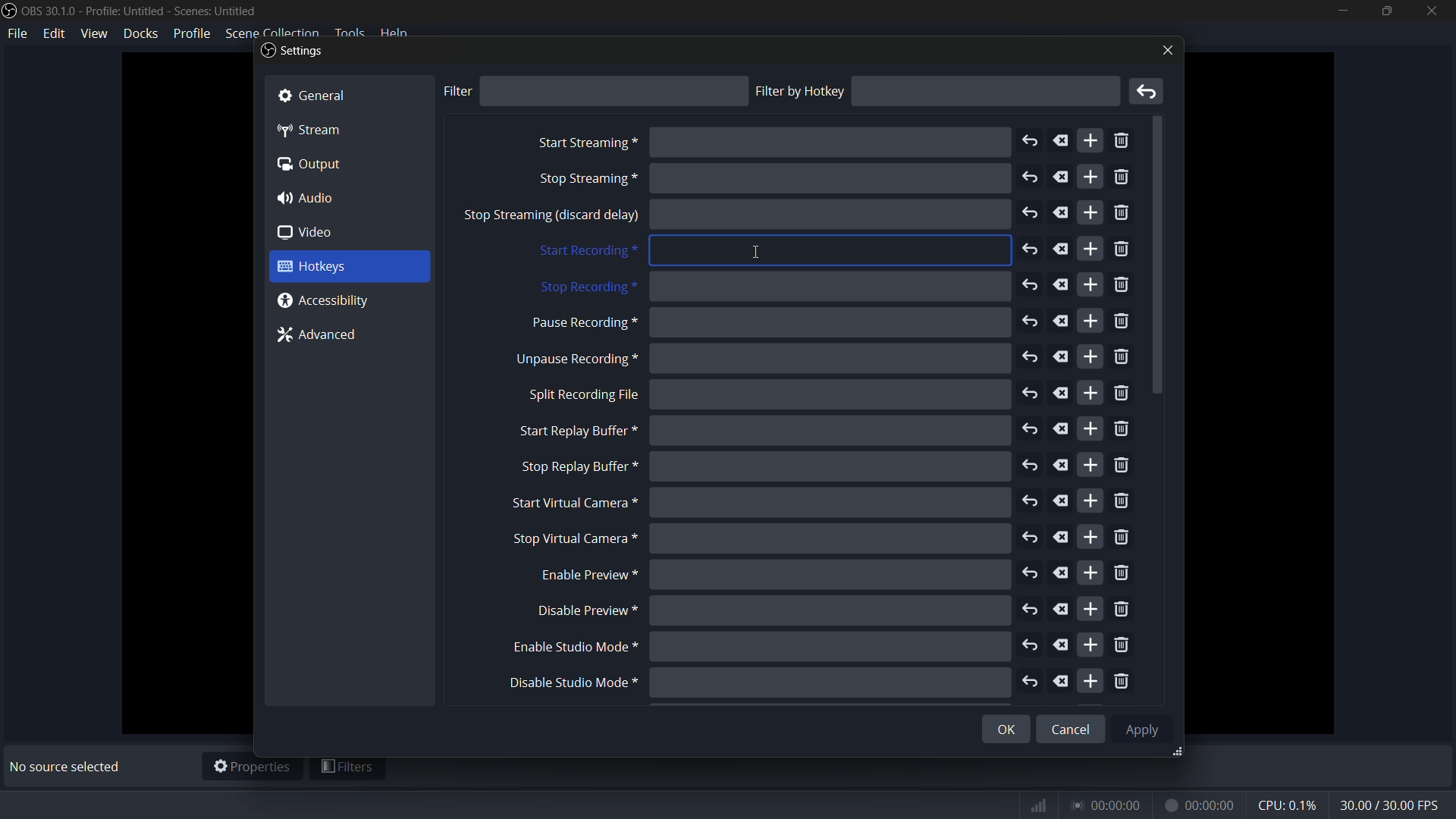  I want to click on delete, so click(1059, 501).